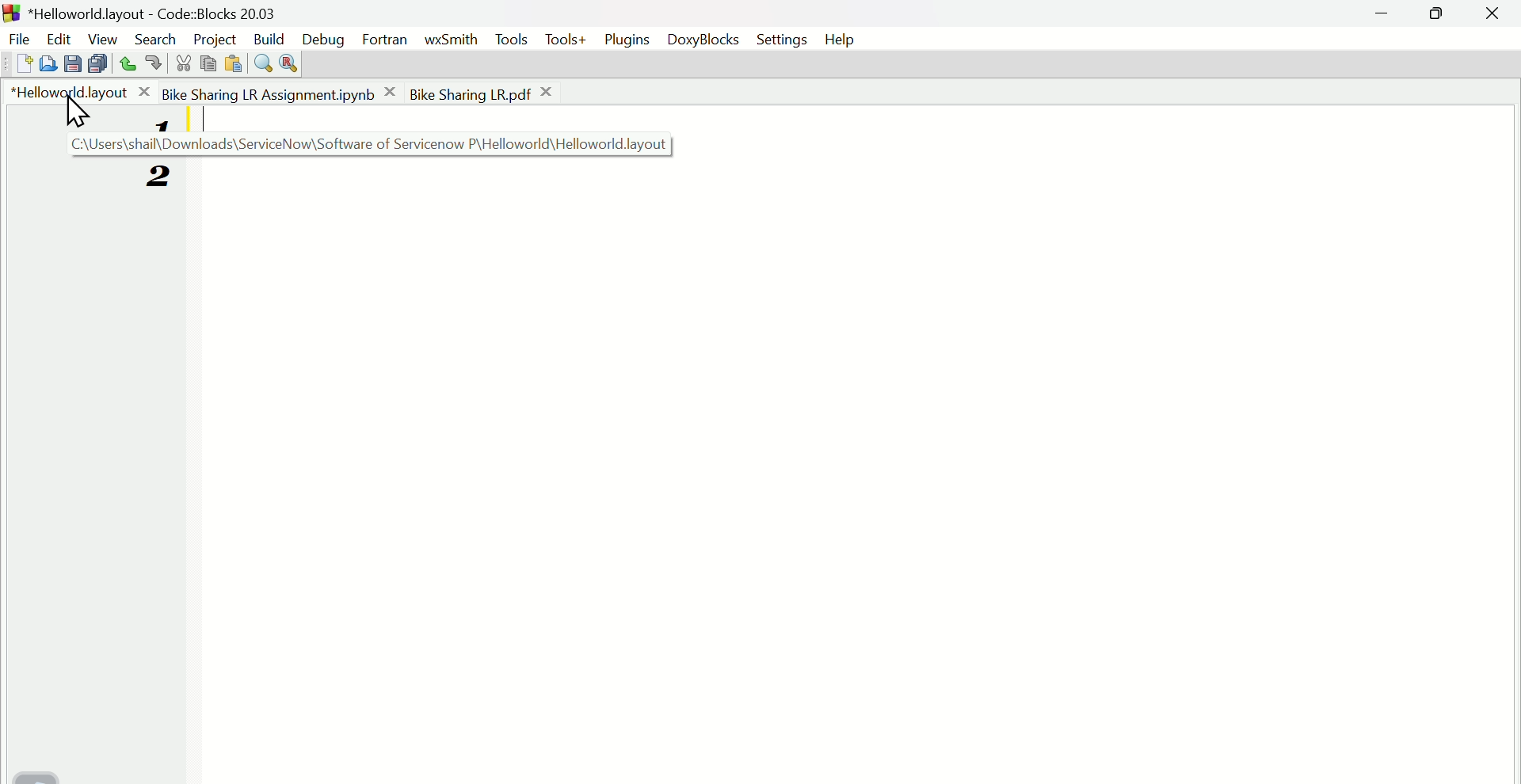 This screenshot has width=1521, height=784. I want to click on Paste, so click(232, 63).